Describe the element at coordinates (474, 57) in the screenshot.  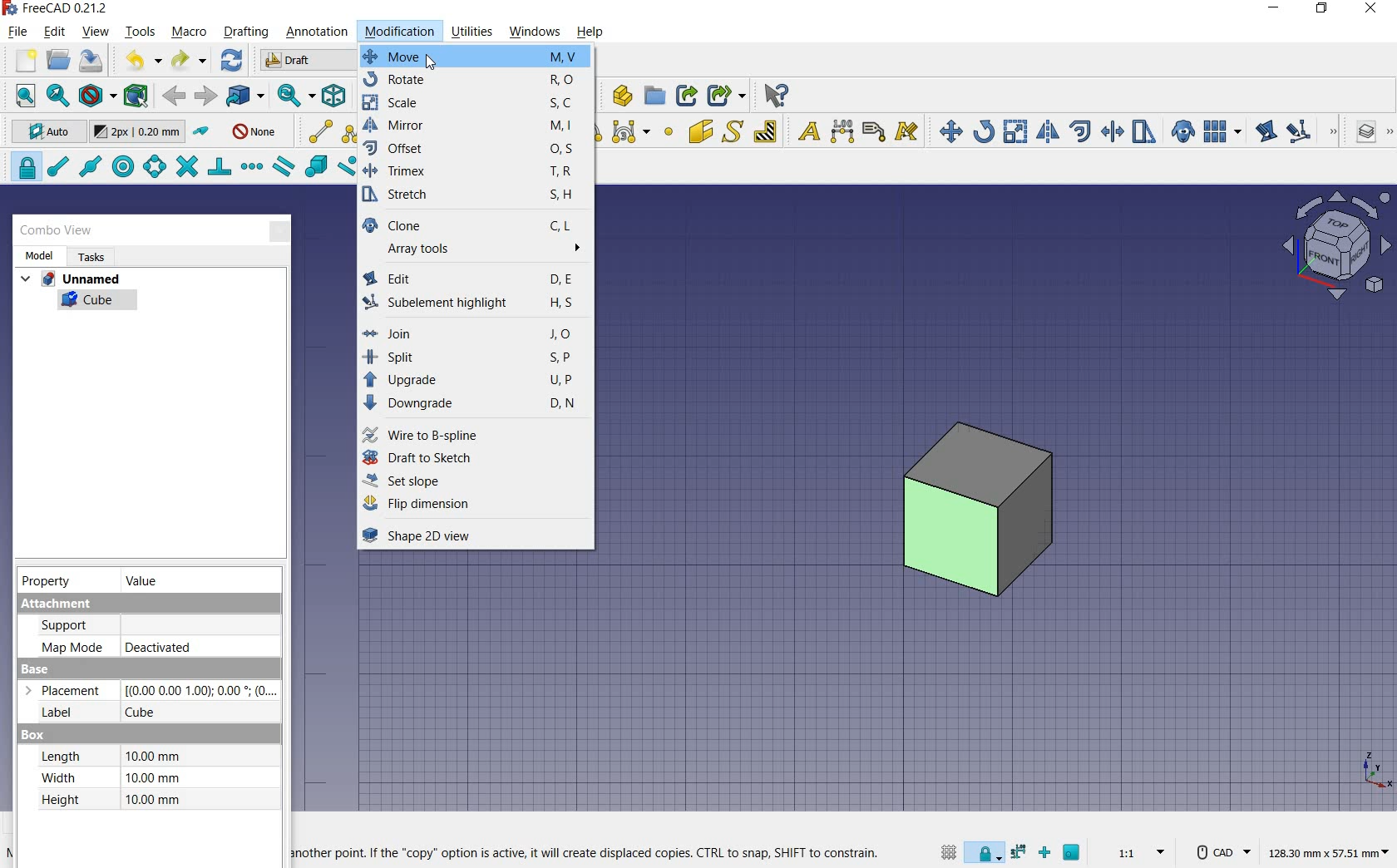
I see `move` at that location.